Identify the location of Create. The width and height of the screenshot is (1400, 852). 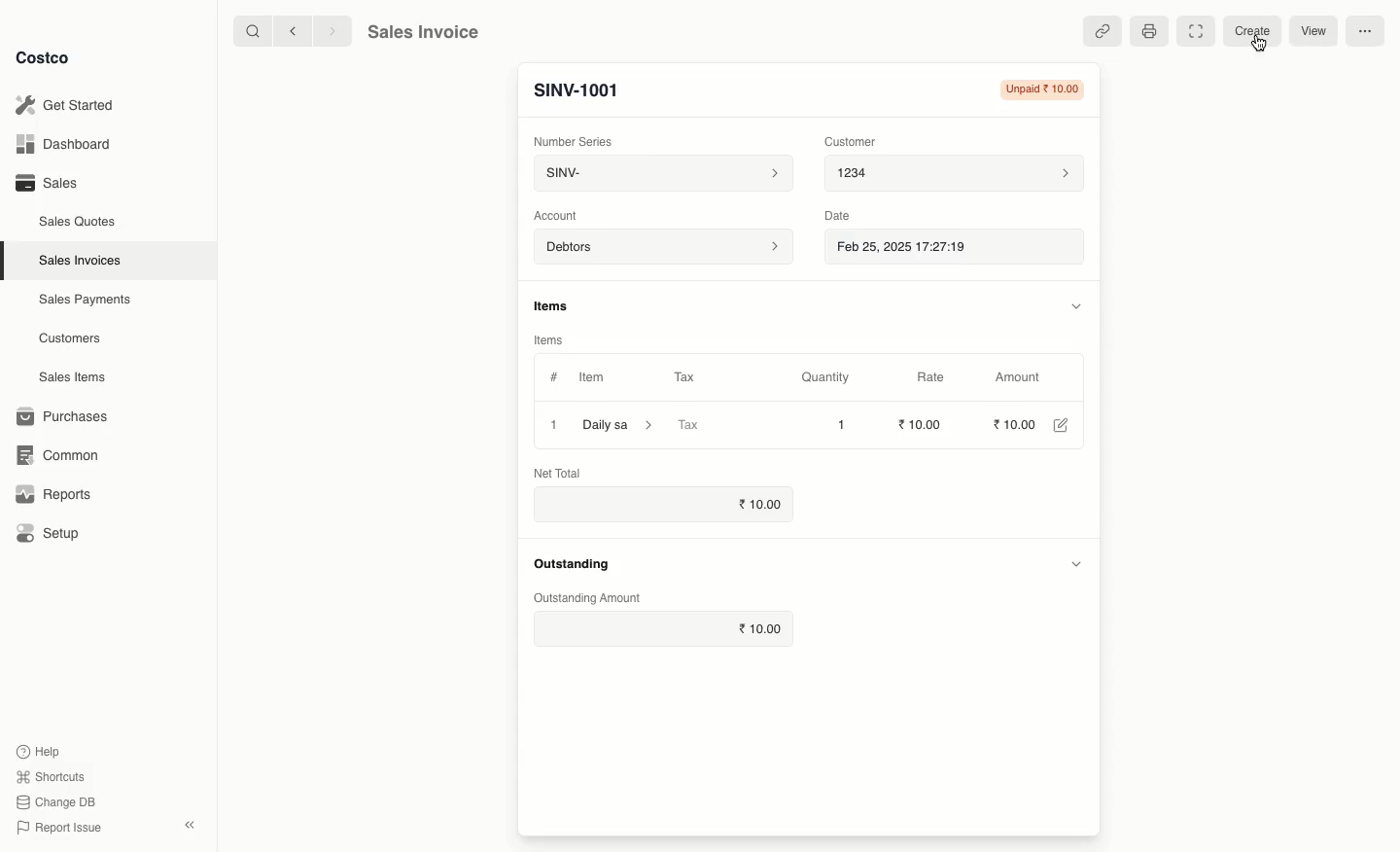
(1250, 30).